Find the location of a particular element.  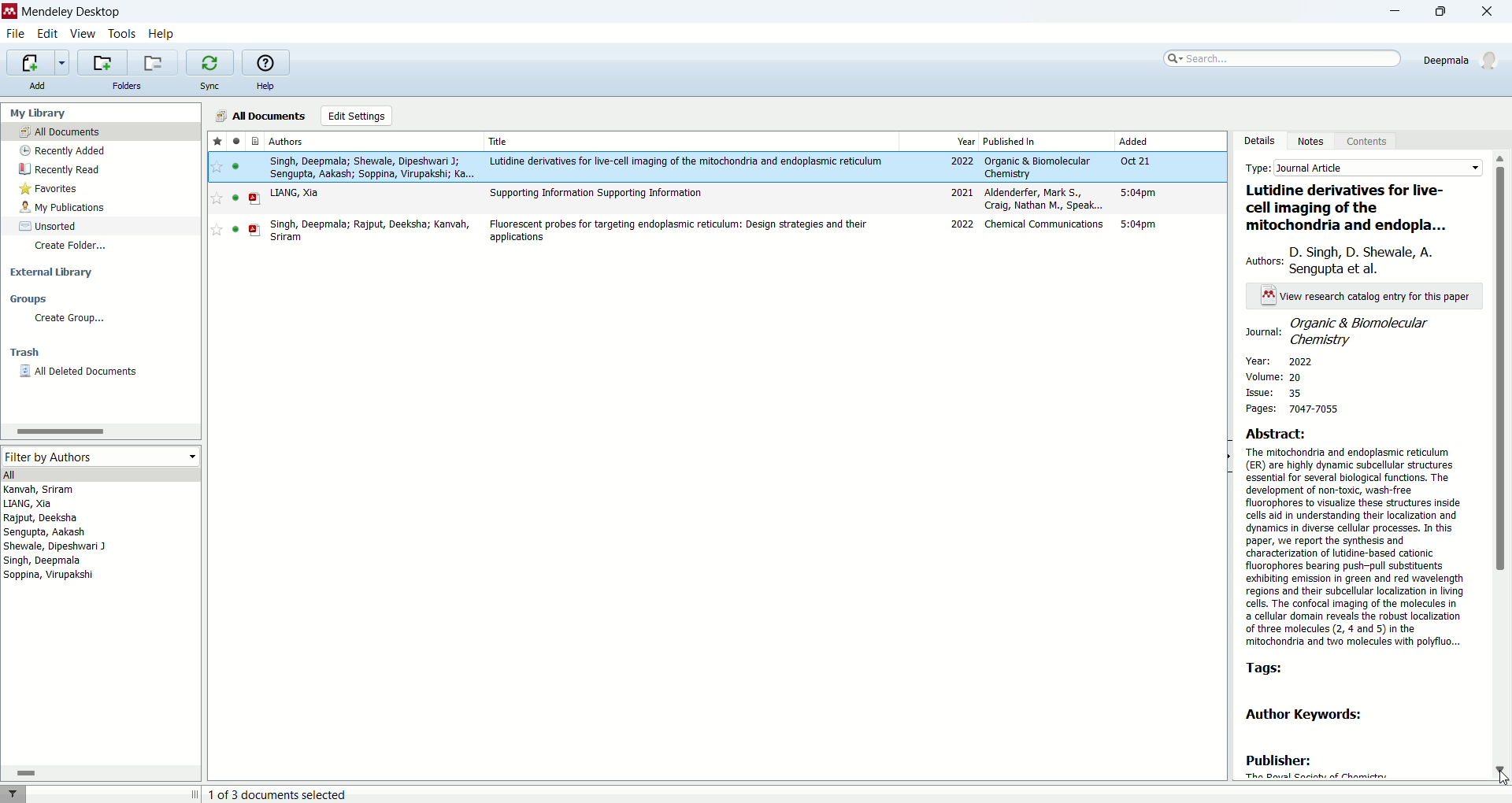

all documents is located at coordinates (258, 116).